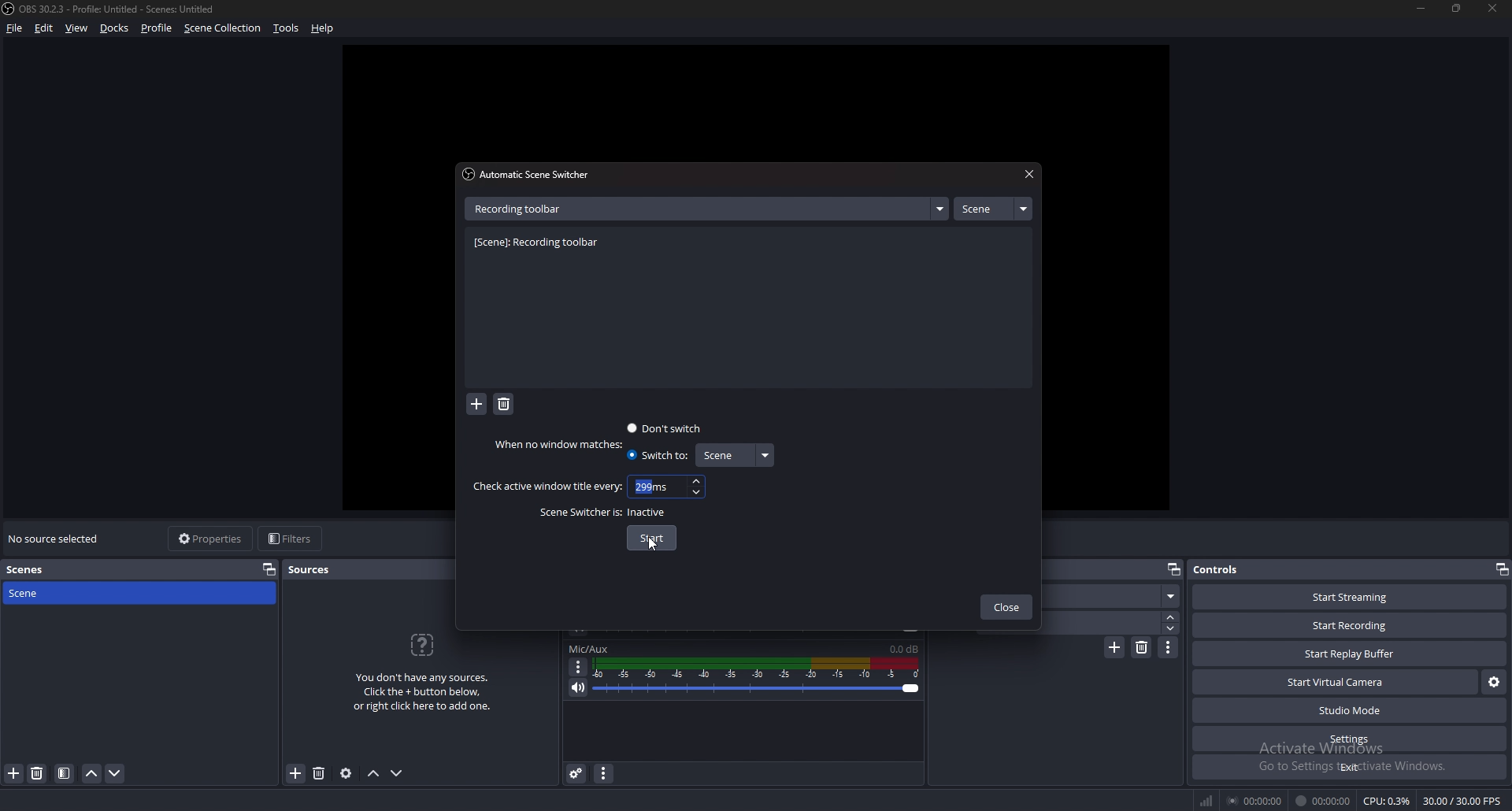  I want to click on remove, so click(504, 405).